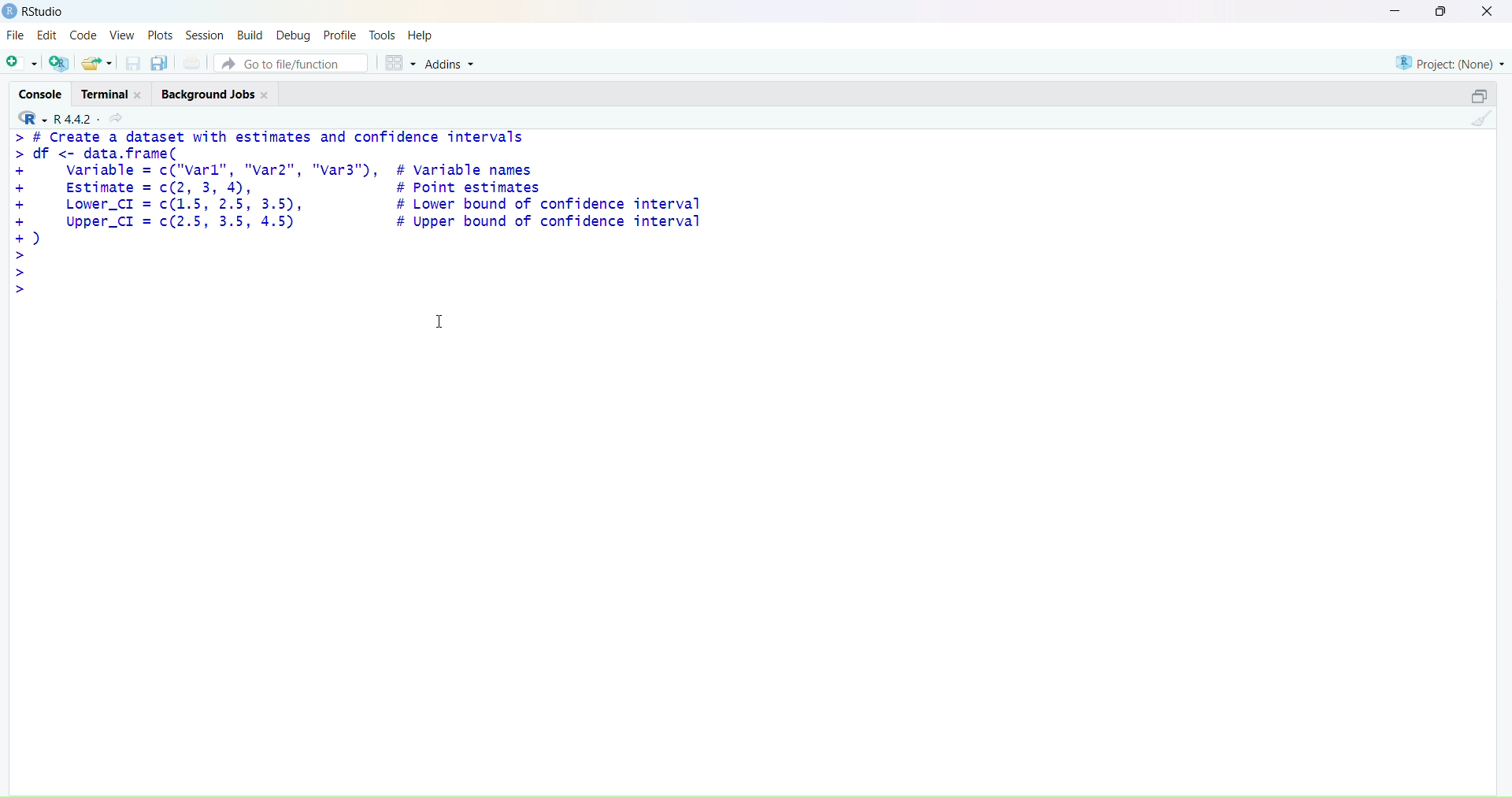  What do you see at coordinates (421, 36) in the screenshot?
I see `Help` at bounding box center [421, 36].